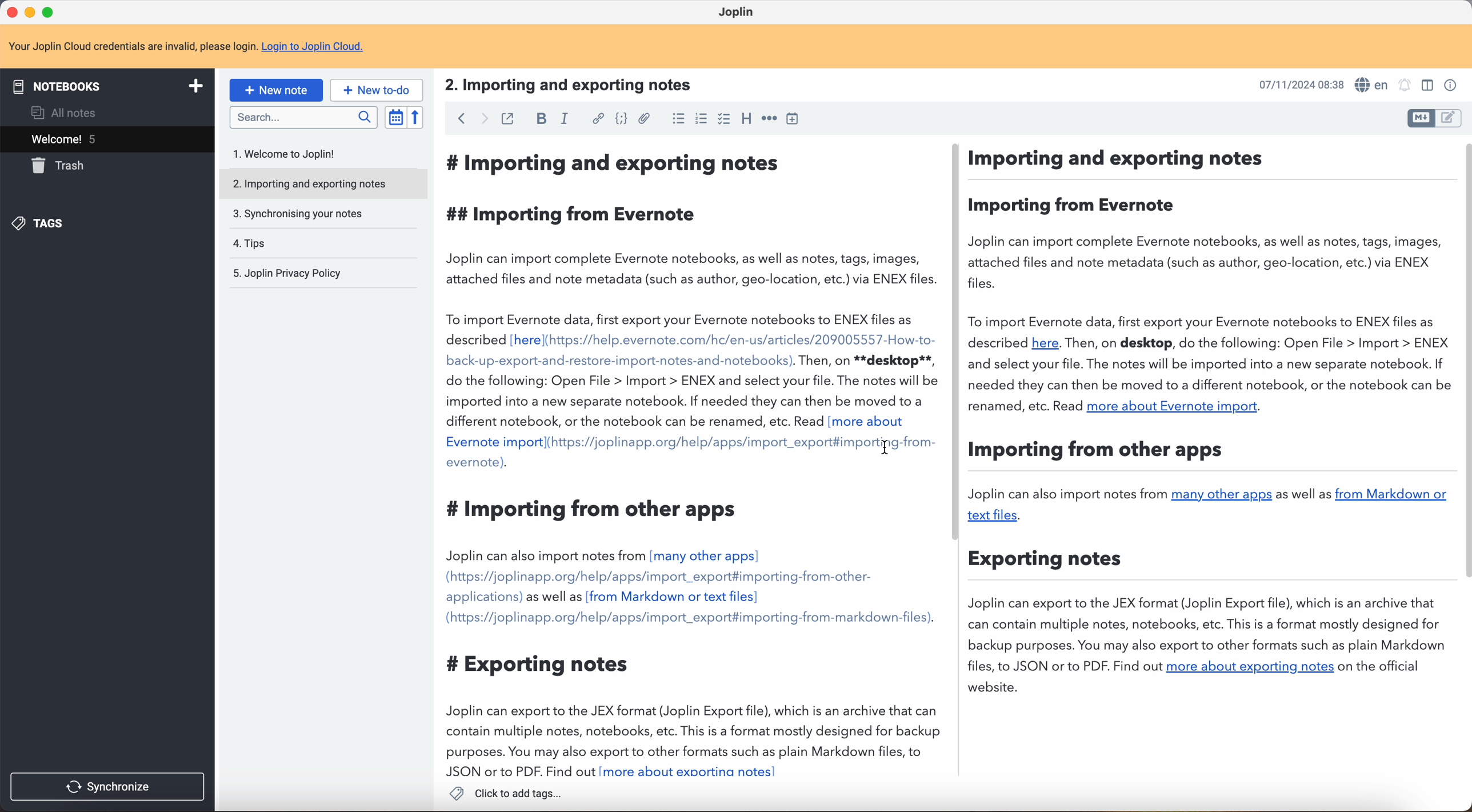 Image resolution: width=1472 pixels, height=812 pixels. I want to click on back, so click(458, 119).